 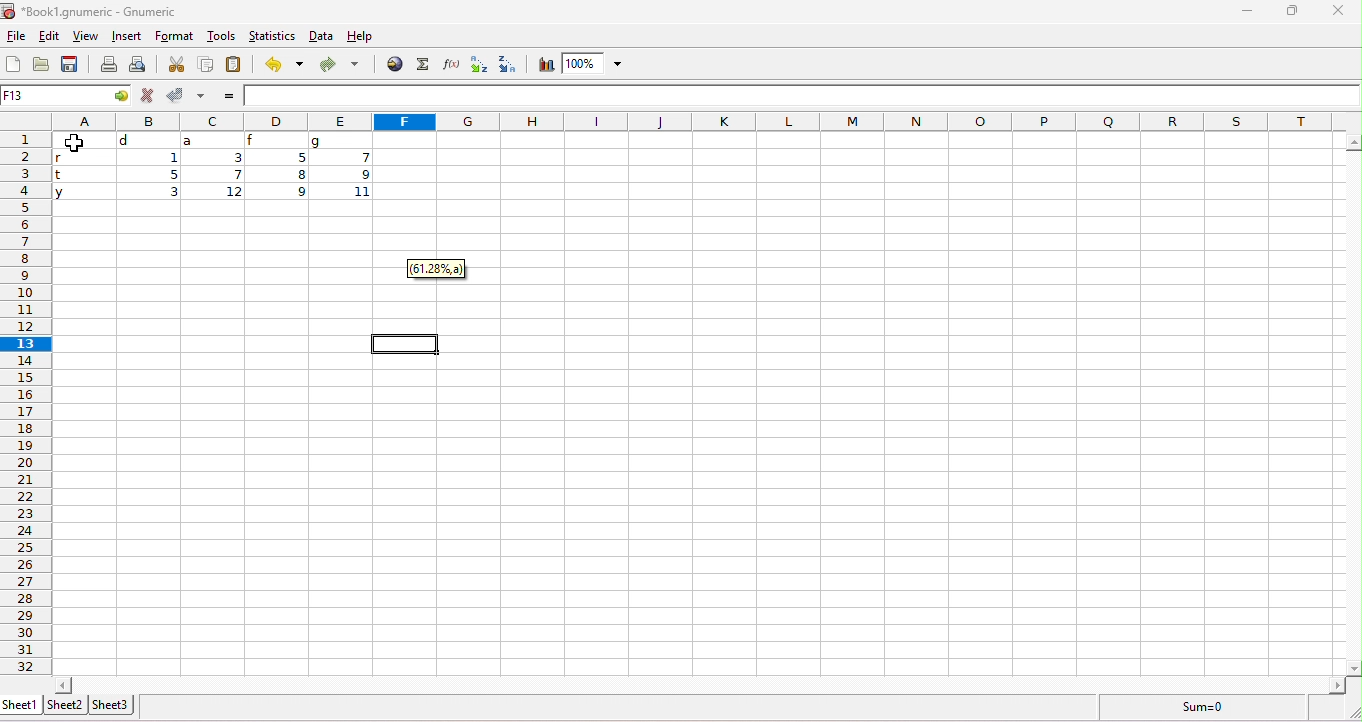 What do you see at coordinates (43, 65) in the screenshot?
I see `open` at bounding box center [43, 65].